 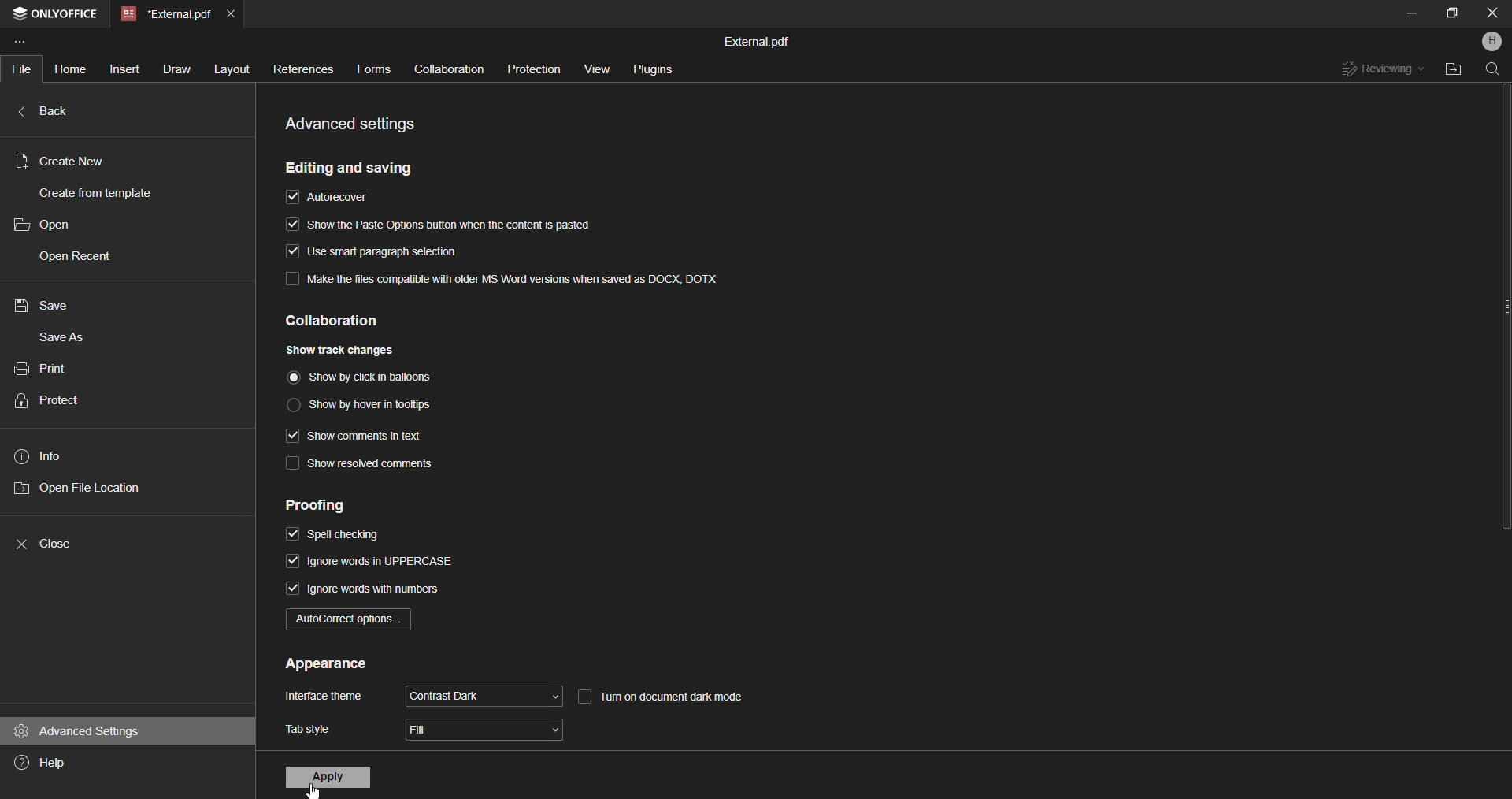 What do you see at coordinates (373, 68) in the screenshot?
I see `Forms` at bounding box center [373, 68].